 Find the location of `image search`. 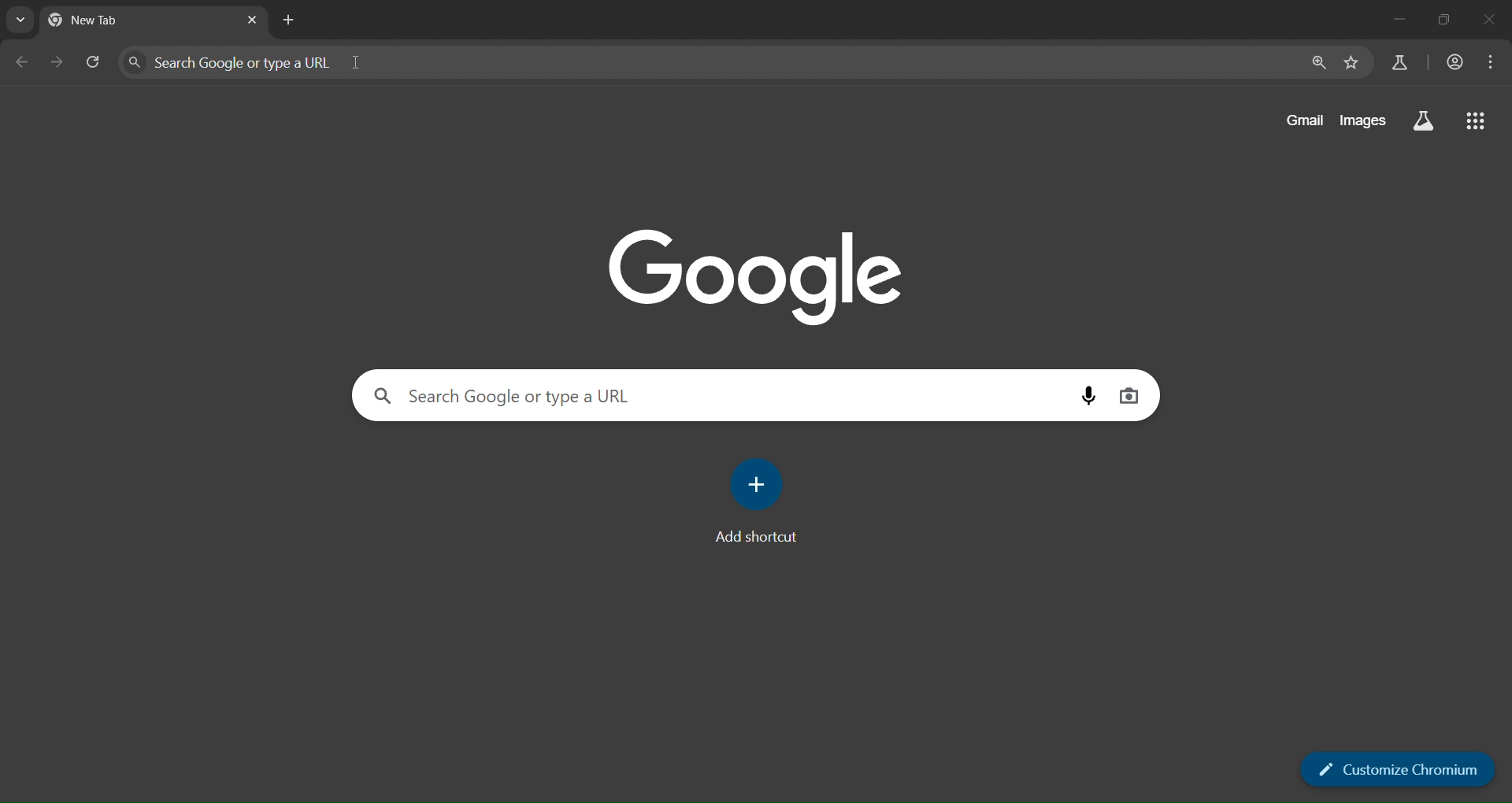

image search is located at coordinates (1128, 395).